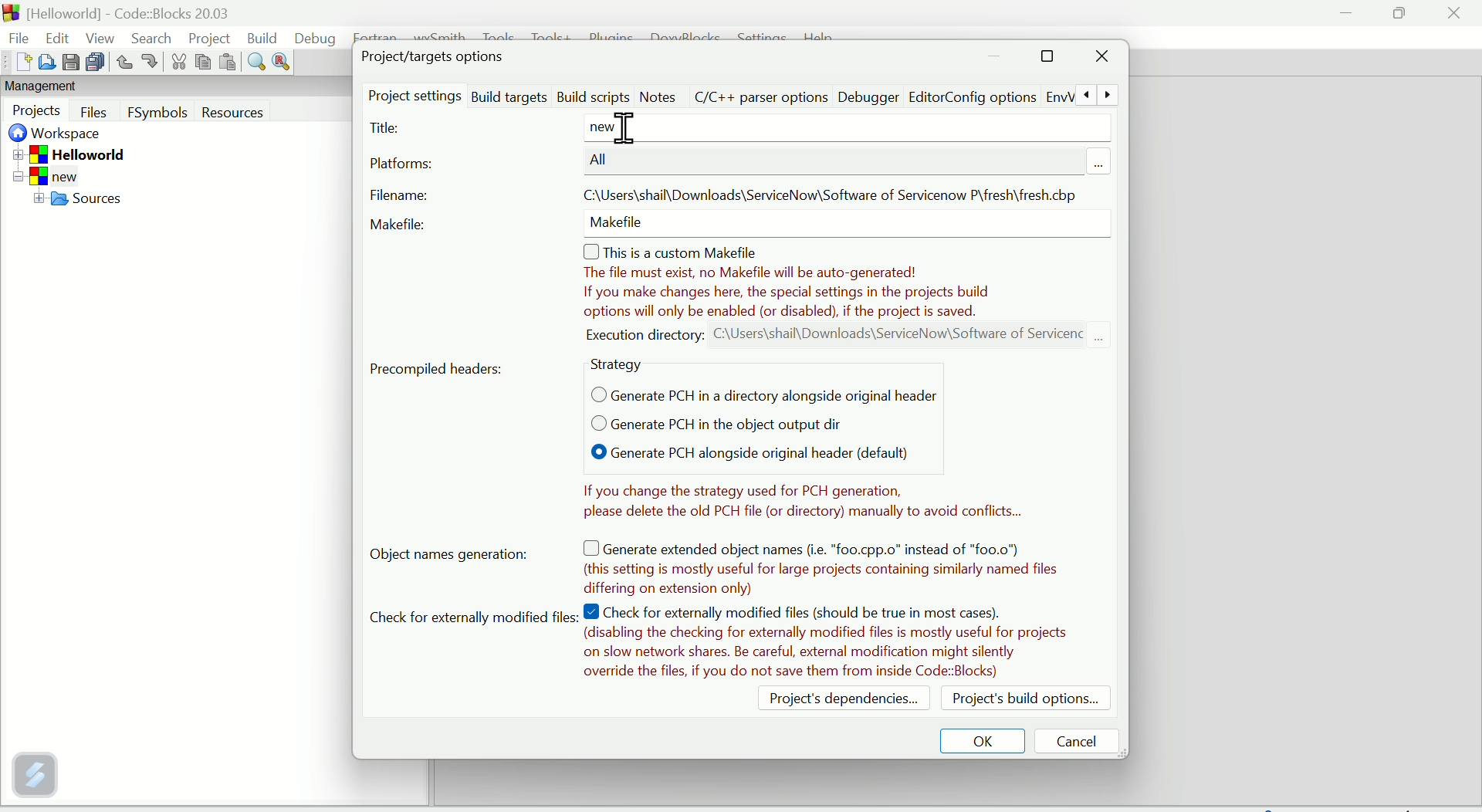 The height and width of the screenshot is (812, 1482). What do you see at coordinates (985, 739) in the screenshot?
I see `OK` at bounding box center [985, 739].